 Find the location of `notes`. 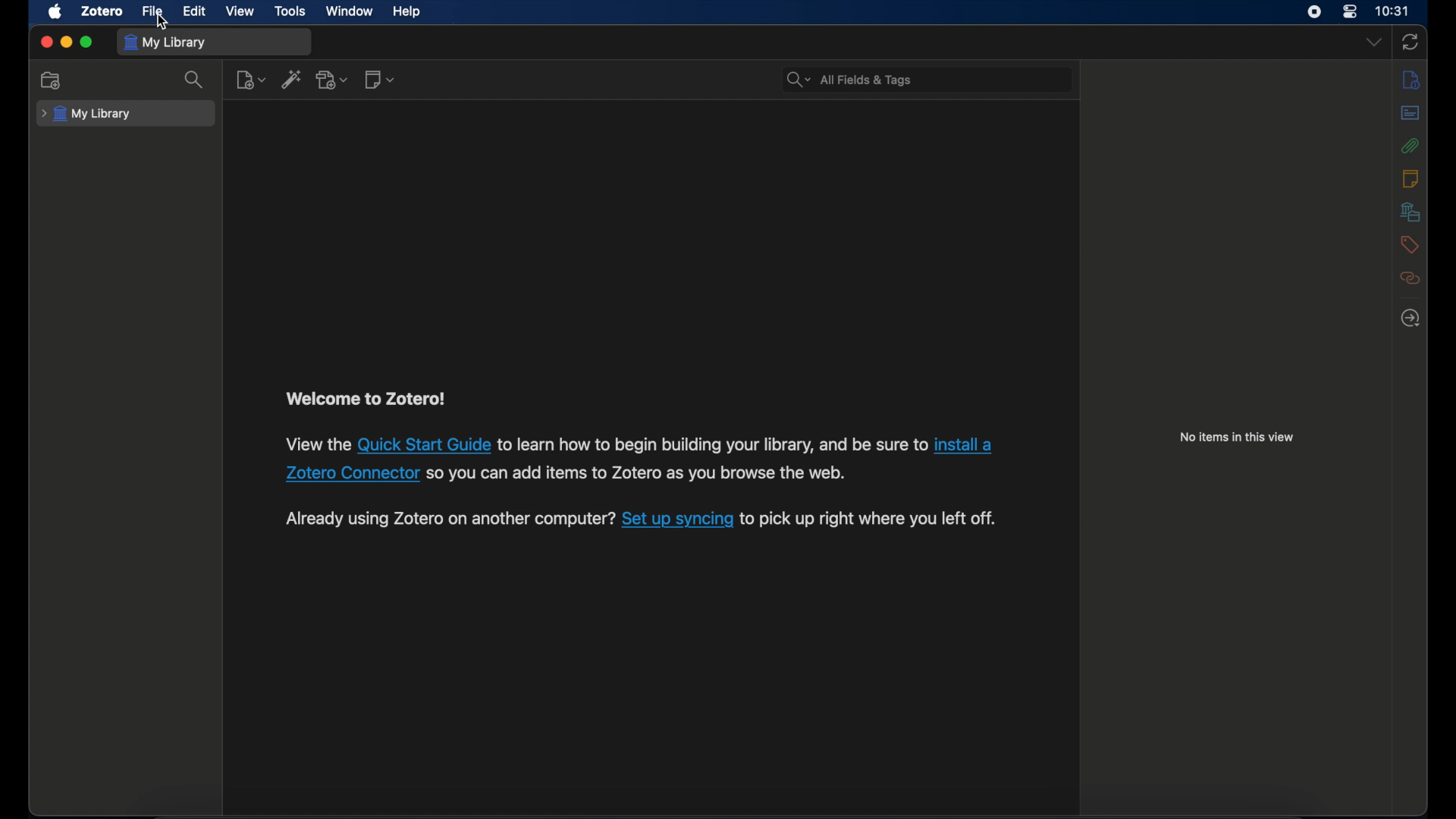

notes is located at coordinates (1410, 177).